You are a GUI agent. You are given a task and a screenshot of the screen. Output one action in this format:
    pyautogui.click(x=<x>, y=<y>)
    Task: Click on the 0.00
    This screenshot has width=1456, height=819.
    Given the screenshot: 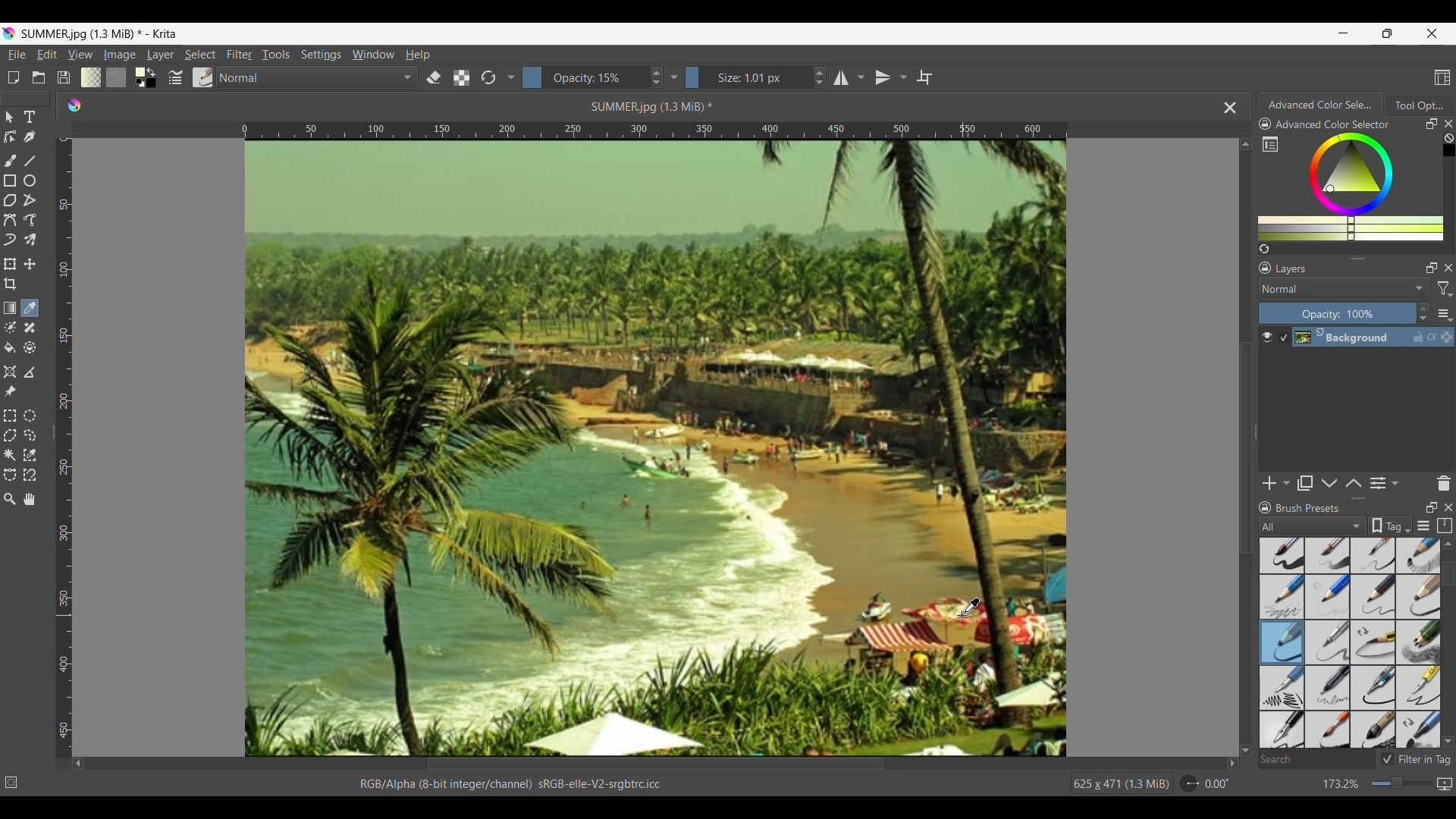 What is the action you would take?
    pyautogui.click(x=1217, y=784)
    